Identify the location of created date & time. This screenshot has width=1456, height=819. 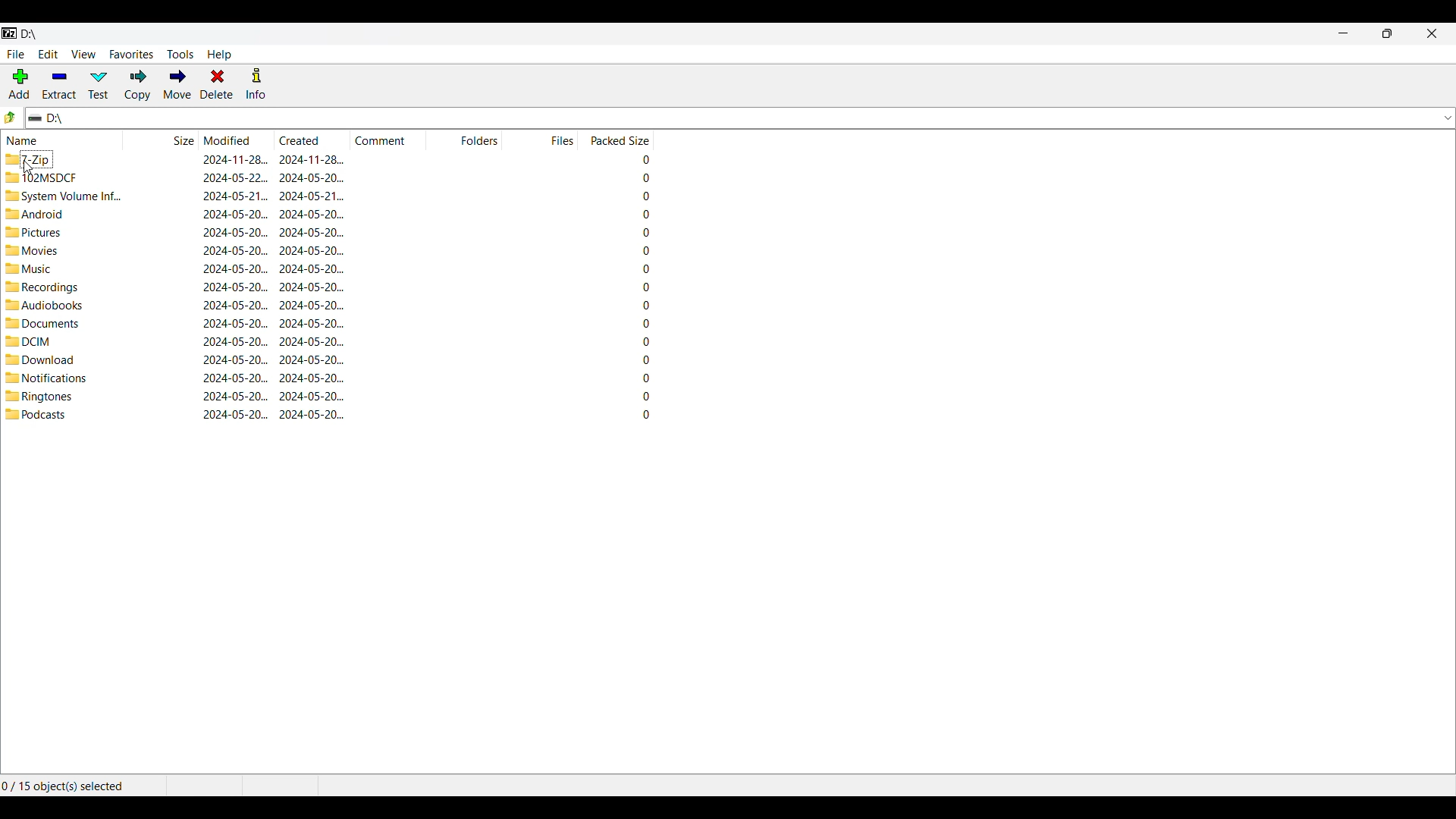
(311, 159).